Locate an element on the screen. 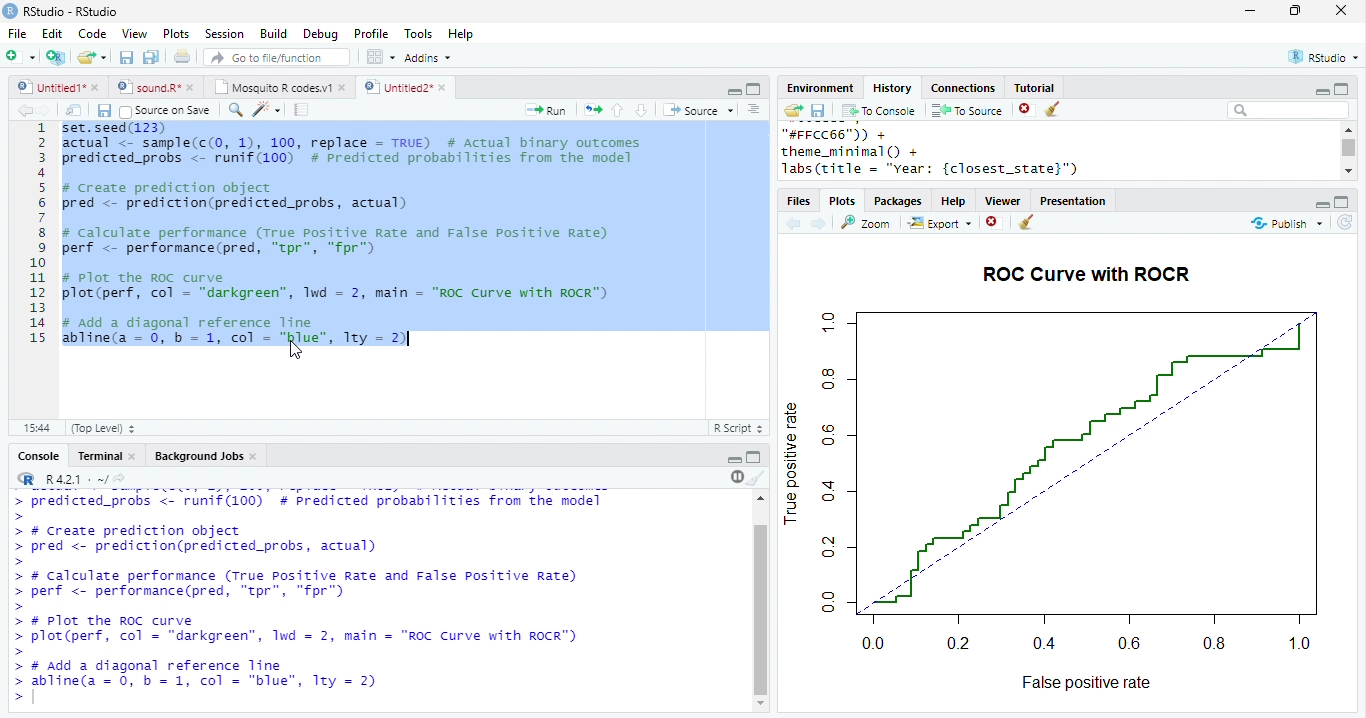  > # Add a diagonal reference line> abline(a = 0, b = 1, col = "blue", Tty = 2)> is located at coordinates (205, 683).